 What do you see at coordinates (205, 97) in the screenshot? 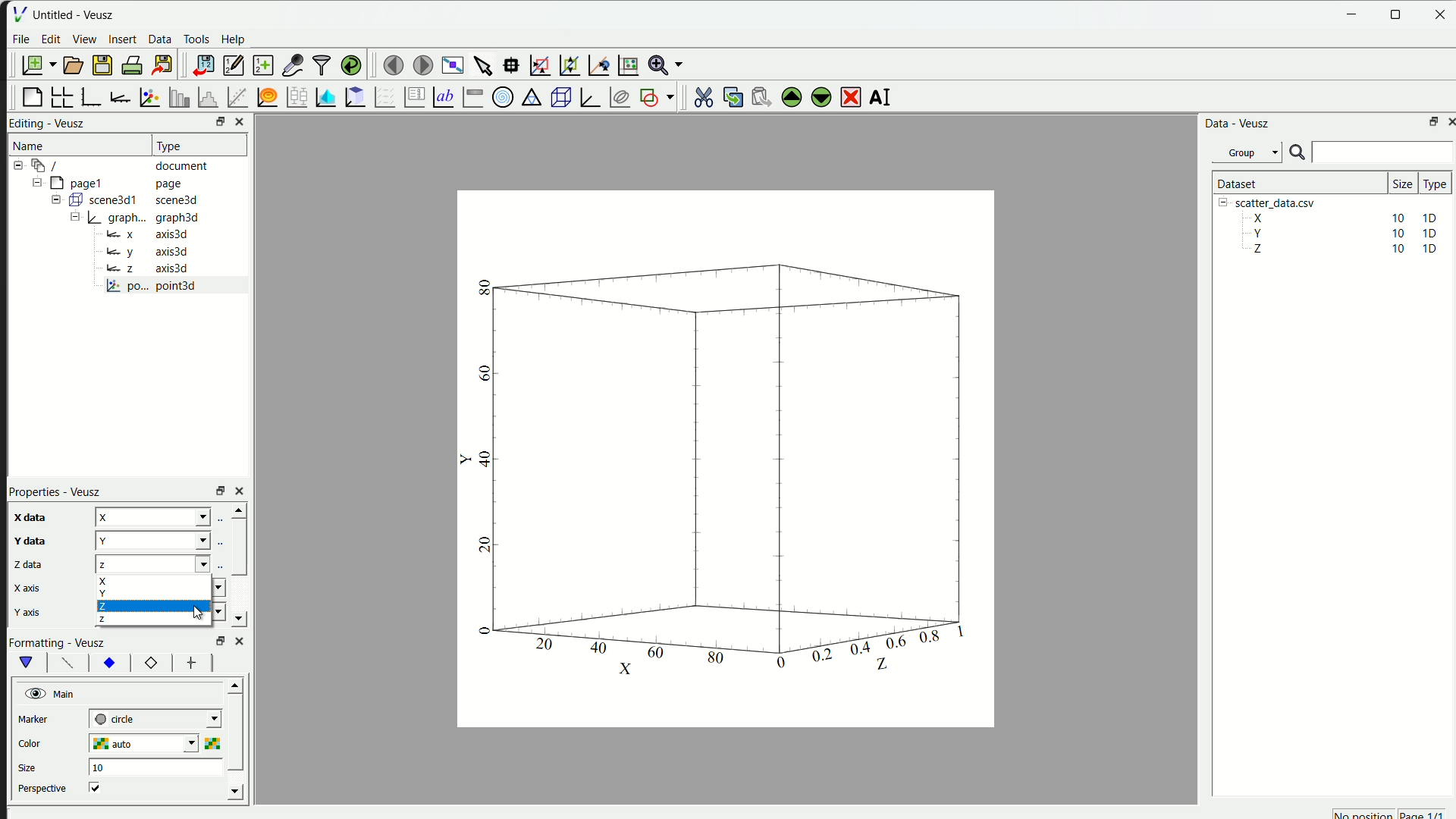
I see `histogram of dataset` at bounding box center [205, 97].